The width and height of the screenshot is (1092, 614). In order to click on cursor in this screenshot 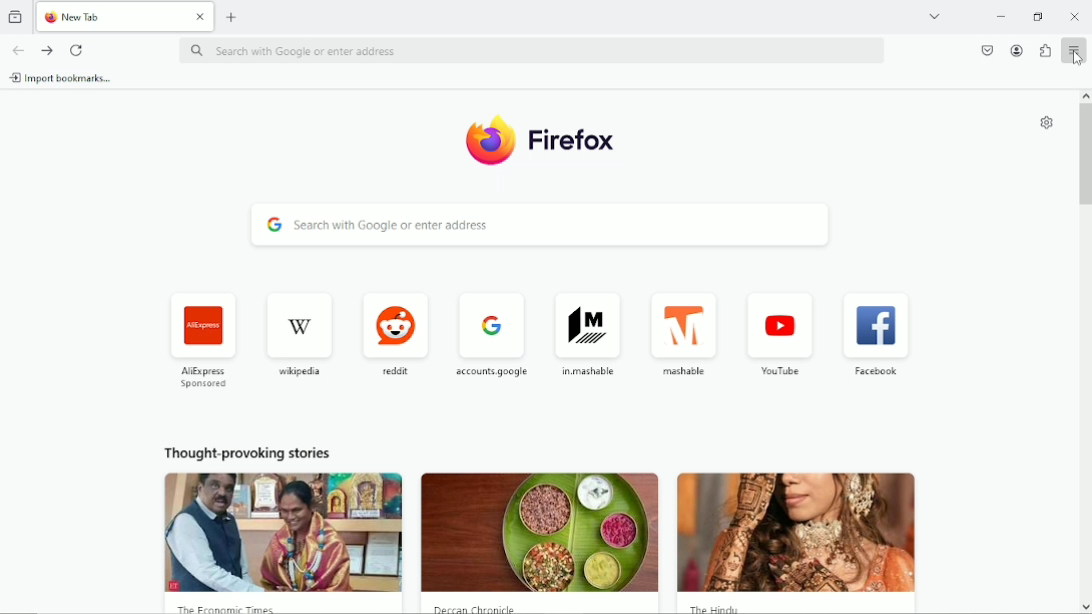, I will do `click(1076, 61)`.